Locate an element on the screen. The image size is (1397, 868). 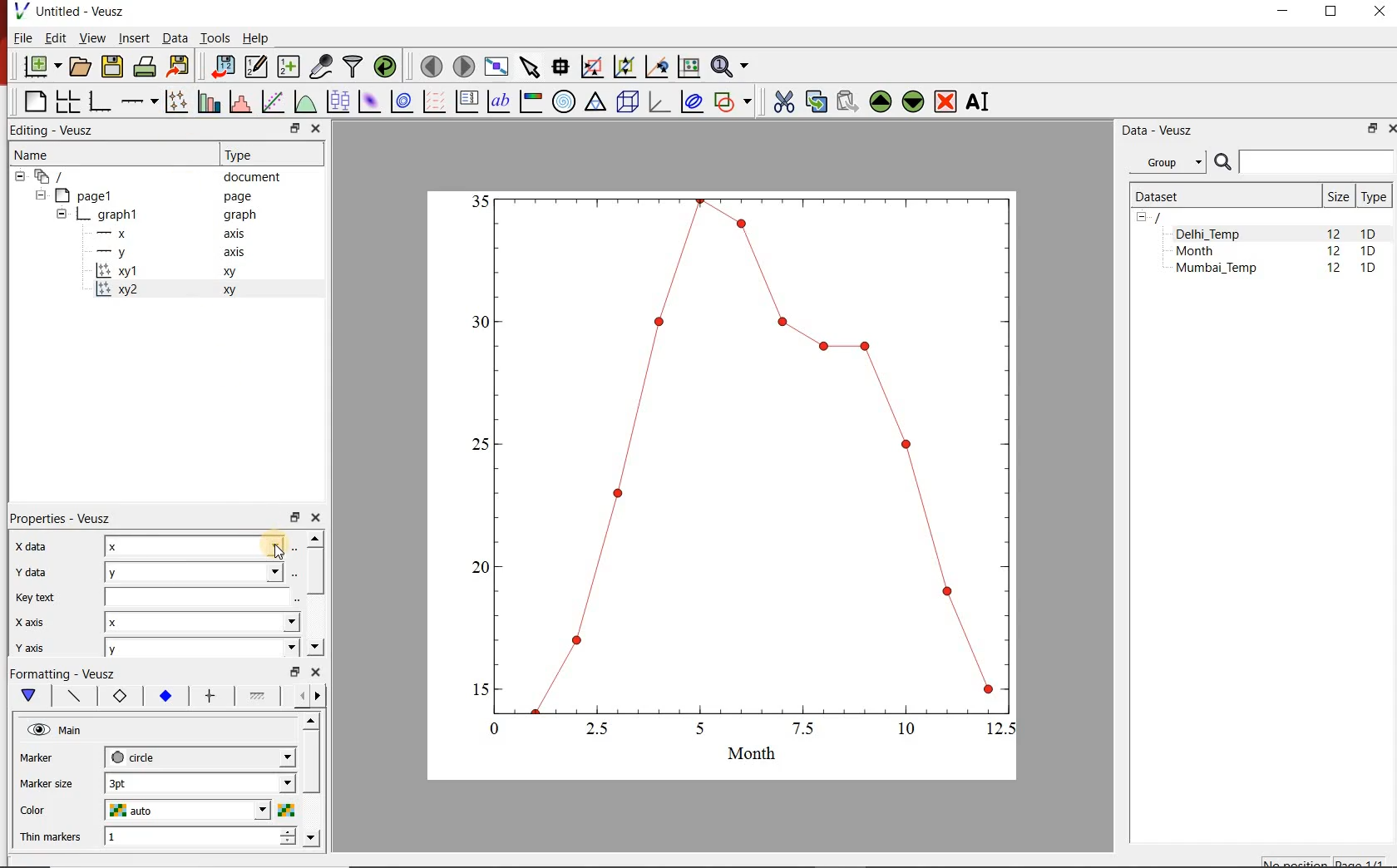
y axis is located at coordinates (28, 648).